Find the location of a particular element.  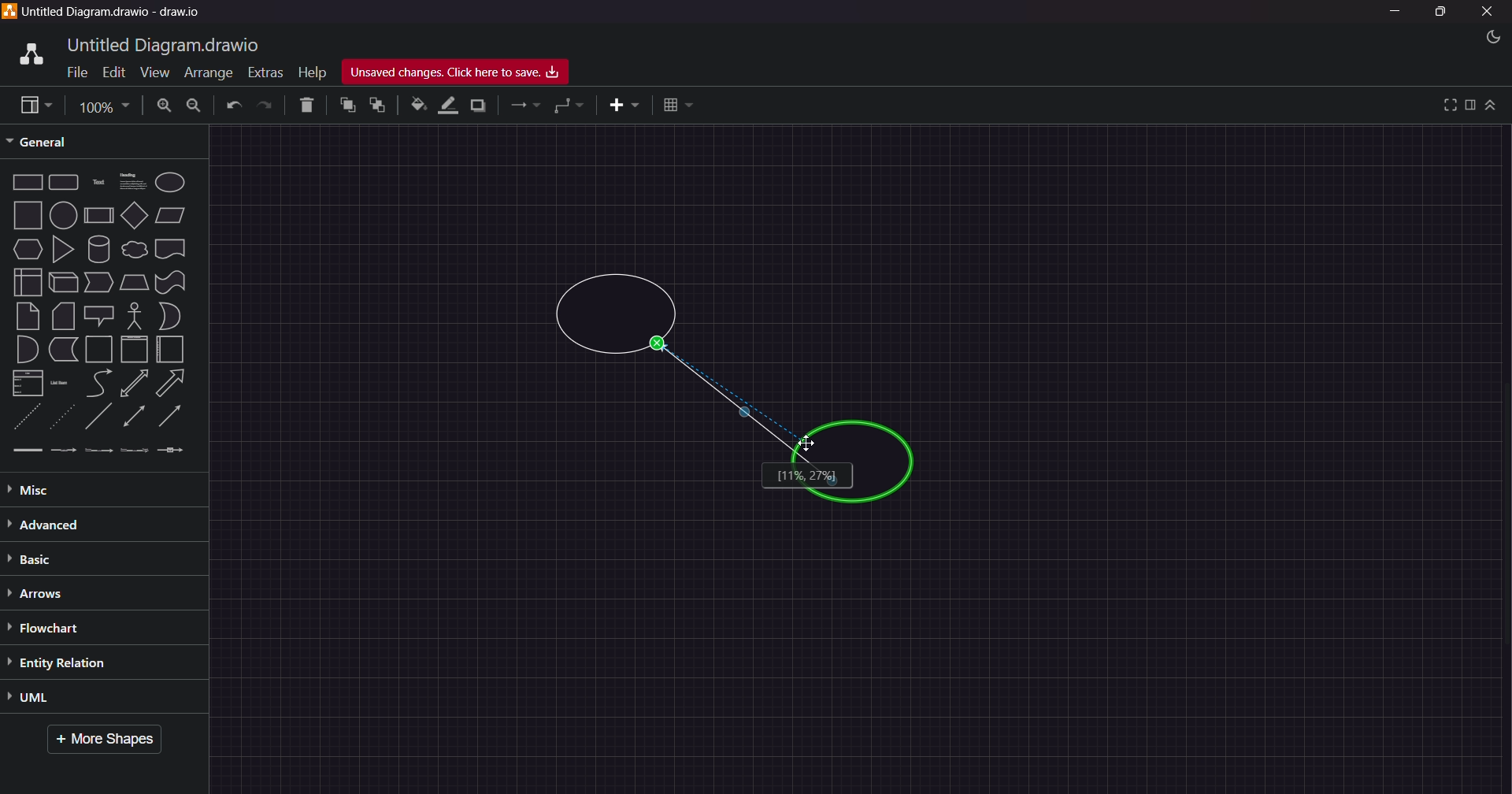

General is located at coordinates (50, 141).